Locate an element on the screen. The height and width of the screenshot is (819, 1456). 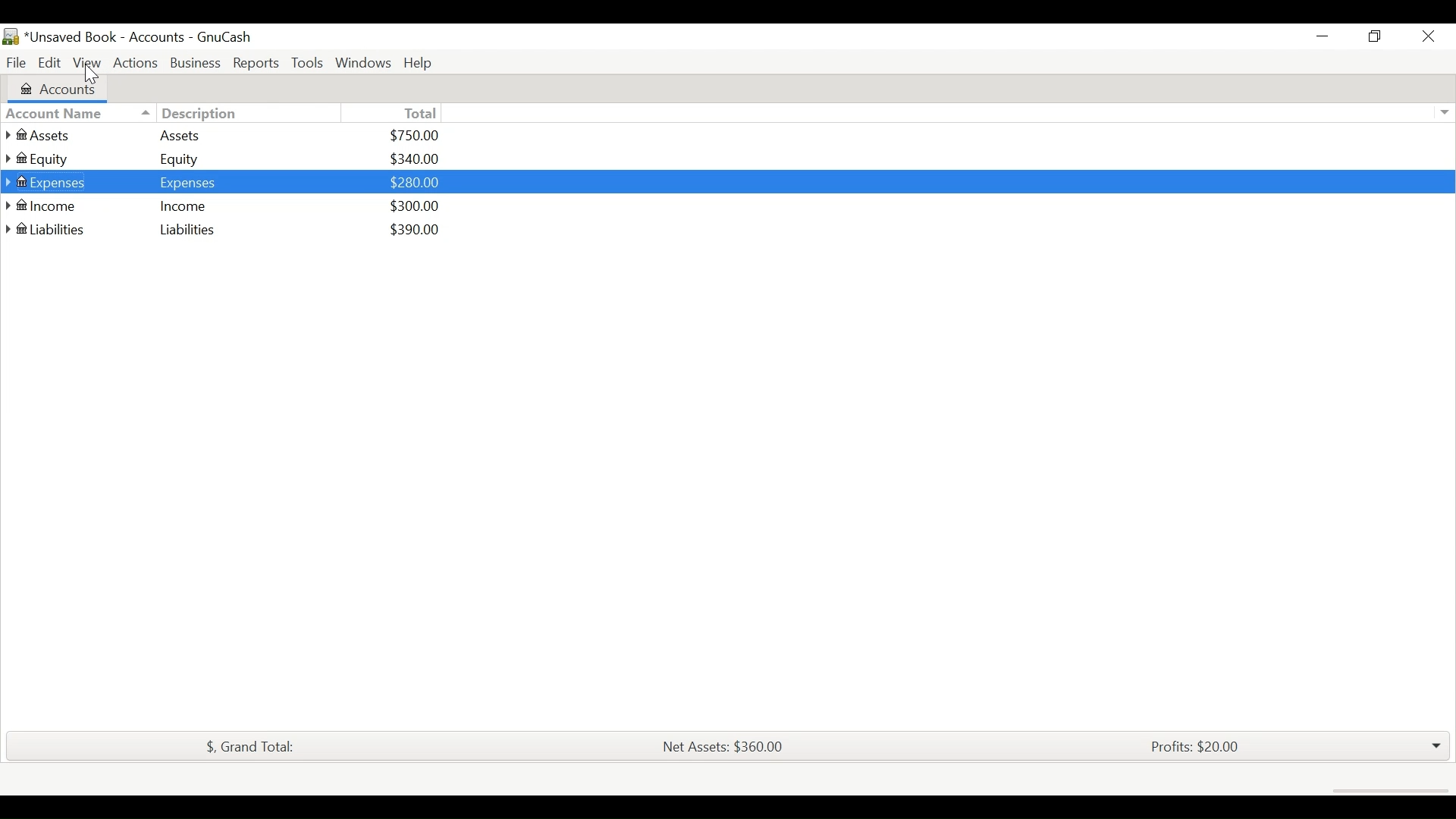
liabilities is located at coordinates (54, 230).